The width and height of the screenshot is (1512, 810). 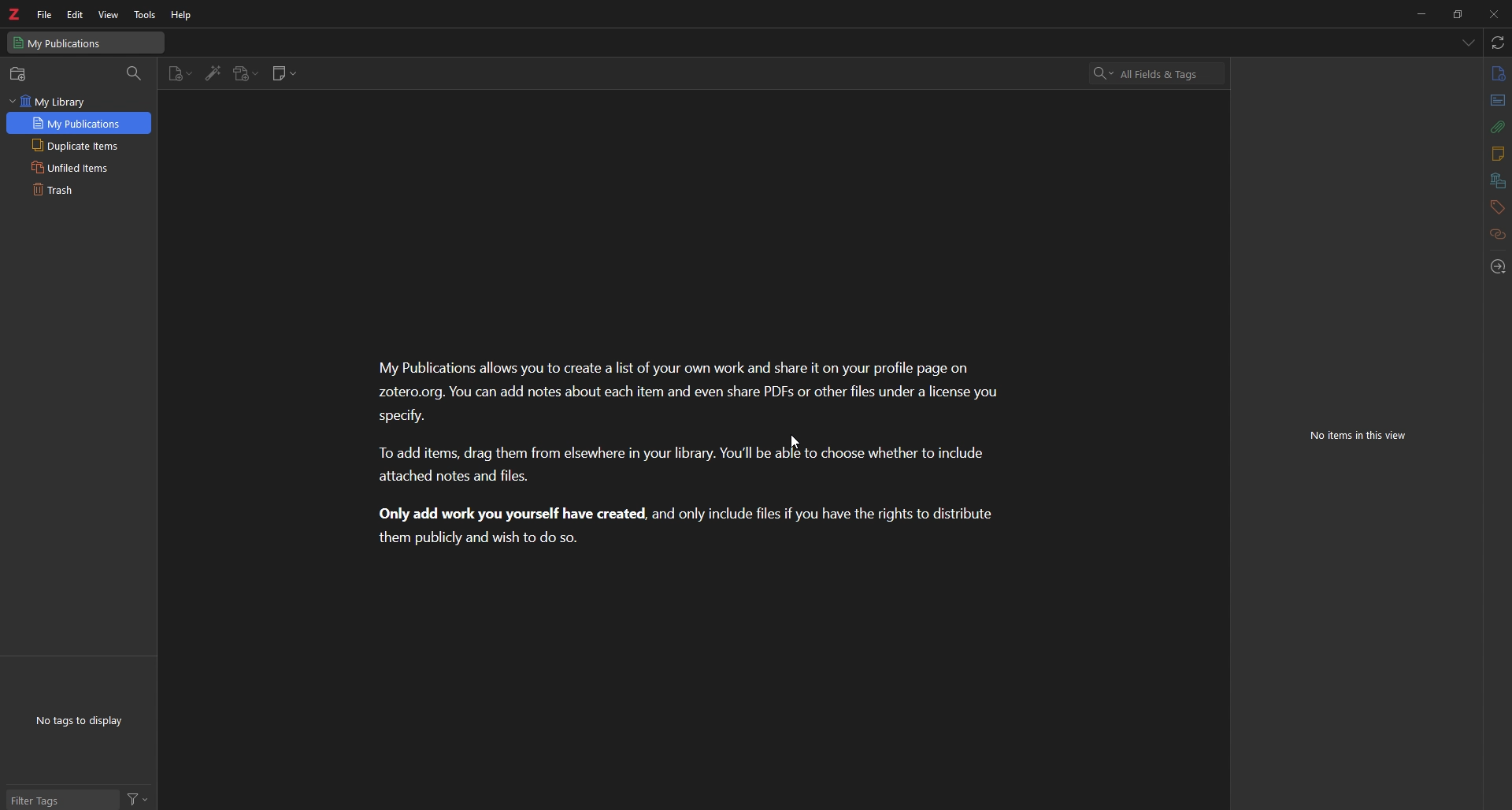 I want to click on Search options, so click(x=1098, y=73).